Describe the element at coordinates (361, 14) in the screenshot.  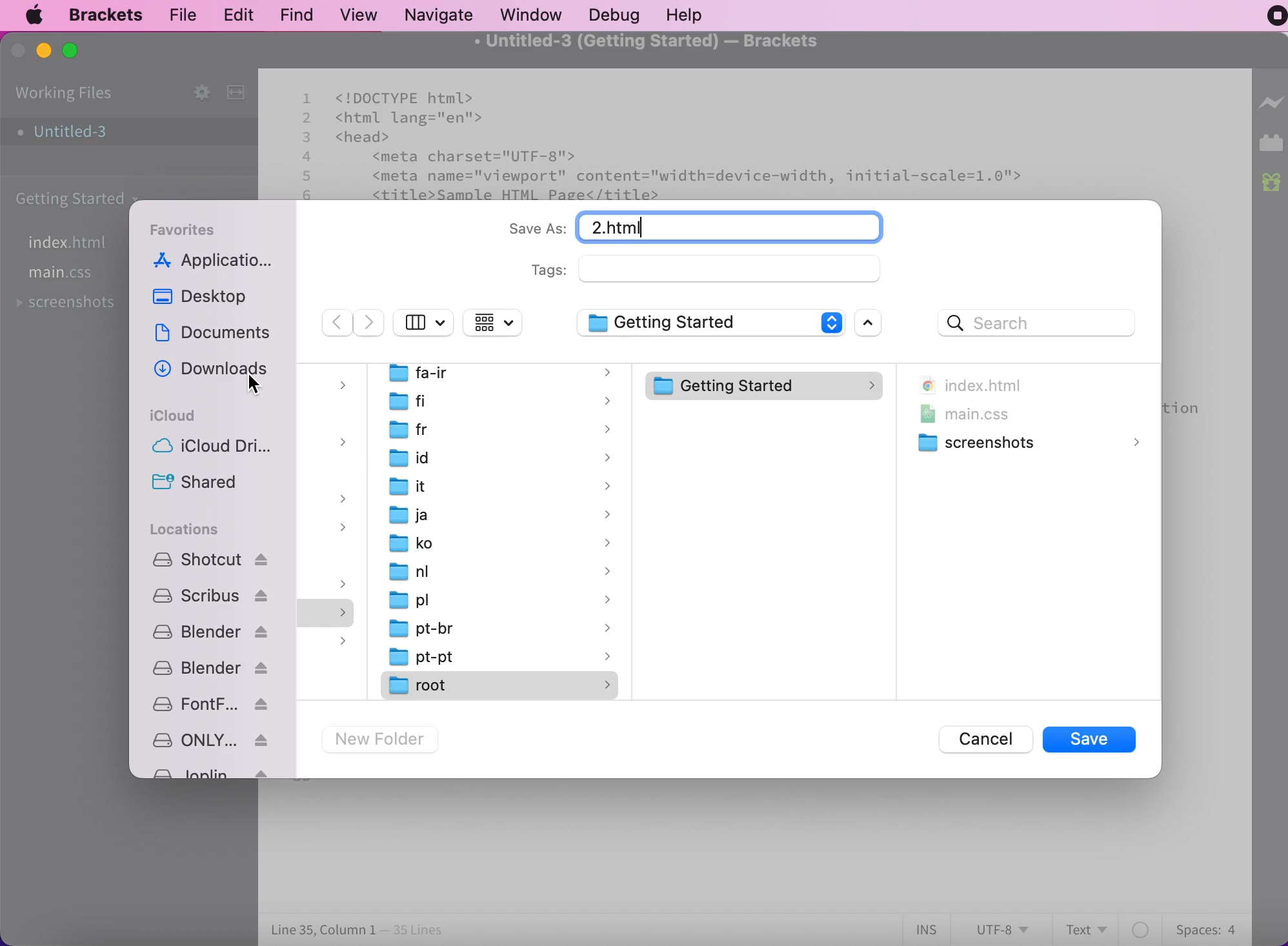
I see `view` at that location.